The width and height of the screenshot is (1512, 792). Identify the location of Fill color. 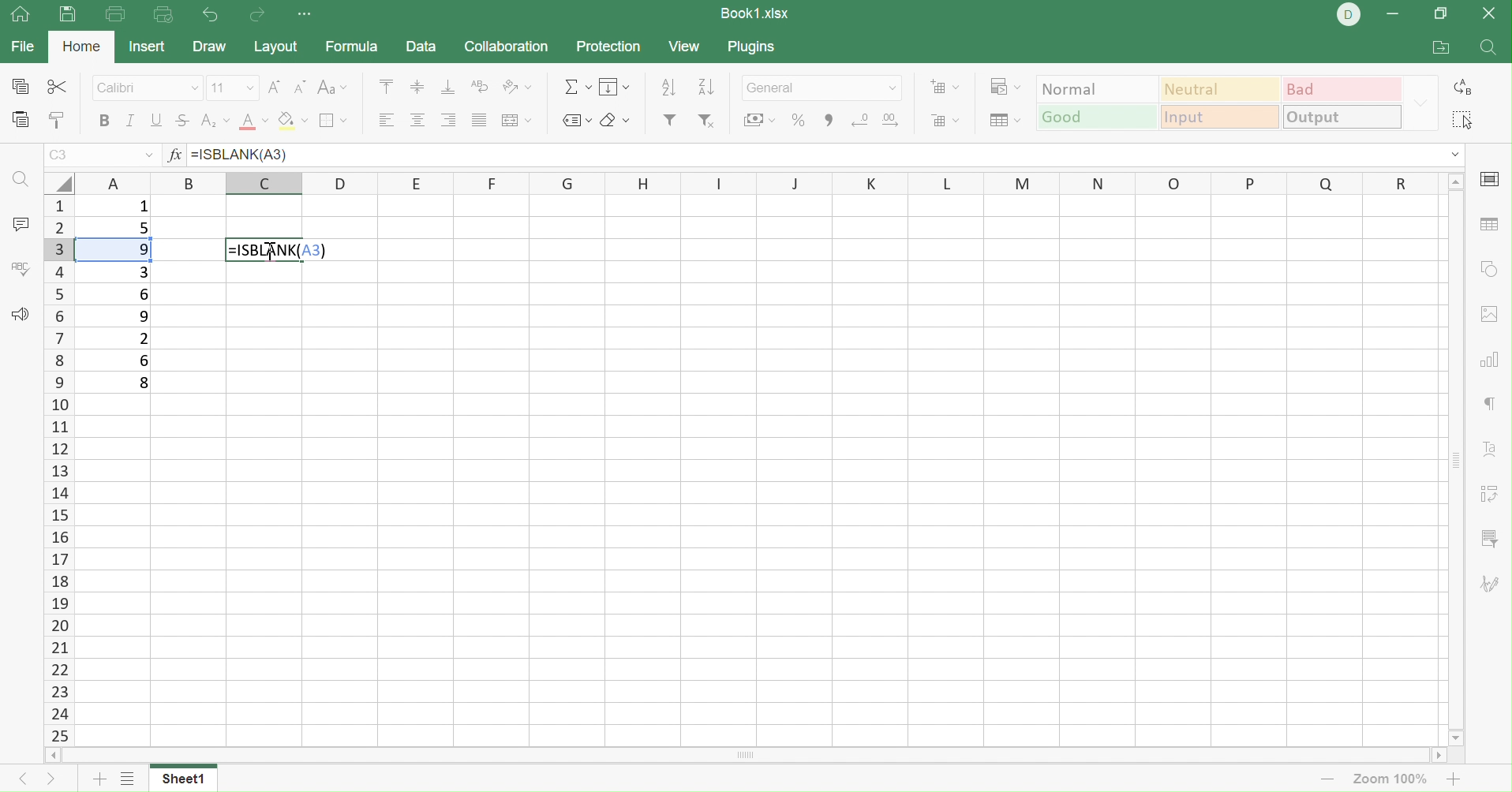
(291, 119).